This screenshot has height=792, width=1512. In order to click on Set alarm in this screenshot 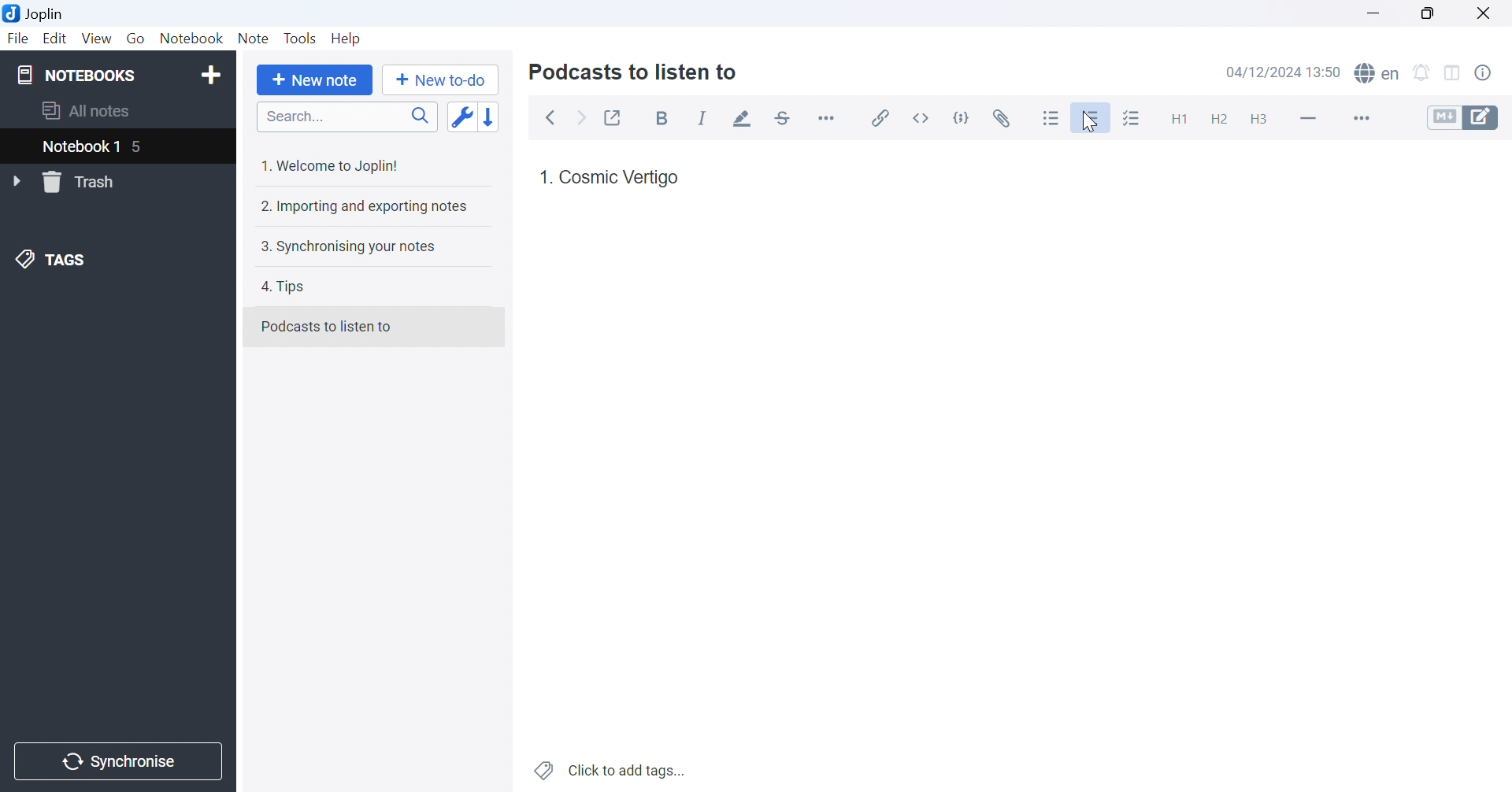, I will do `click(1421, 72)`.